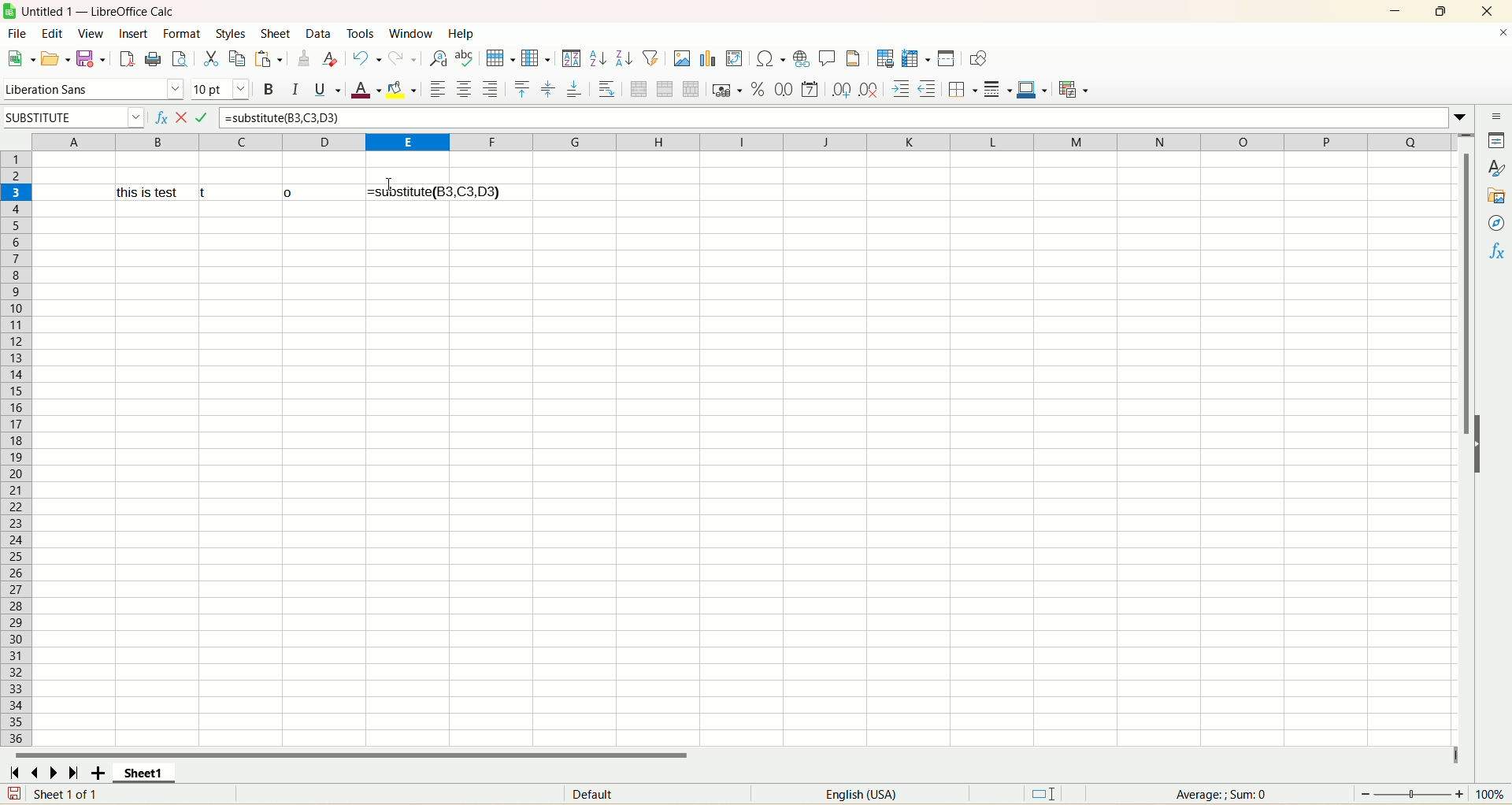 Image resolution: width=1512 pixels, height=805 pixels. I want to click on scroll to next sheet, so click(54, 769).